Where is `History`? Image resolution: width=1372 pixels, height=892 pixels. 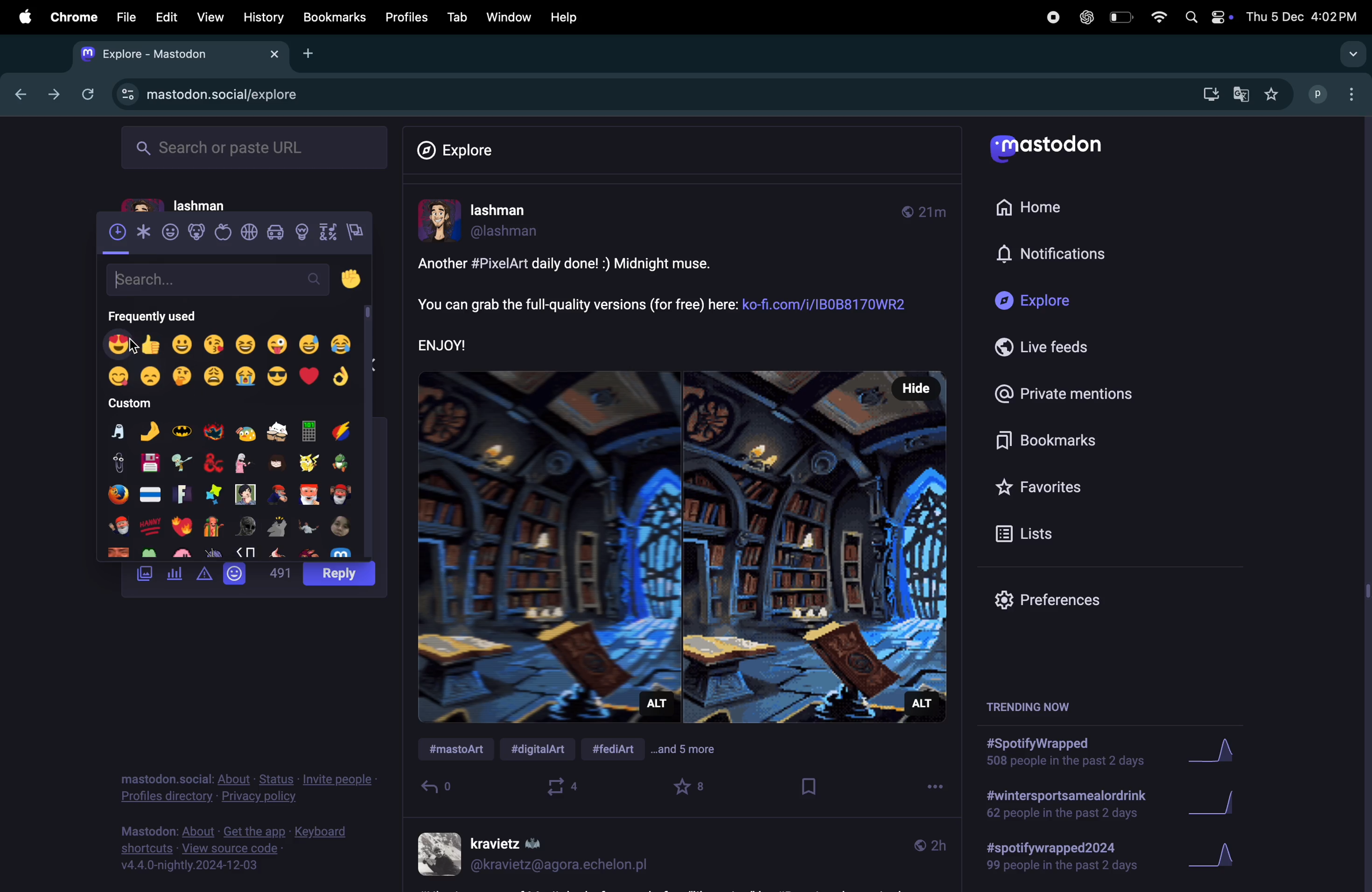
History is located at coordinates (262, 18).